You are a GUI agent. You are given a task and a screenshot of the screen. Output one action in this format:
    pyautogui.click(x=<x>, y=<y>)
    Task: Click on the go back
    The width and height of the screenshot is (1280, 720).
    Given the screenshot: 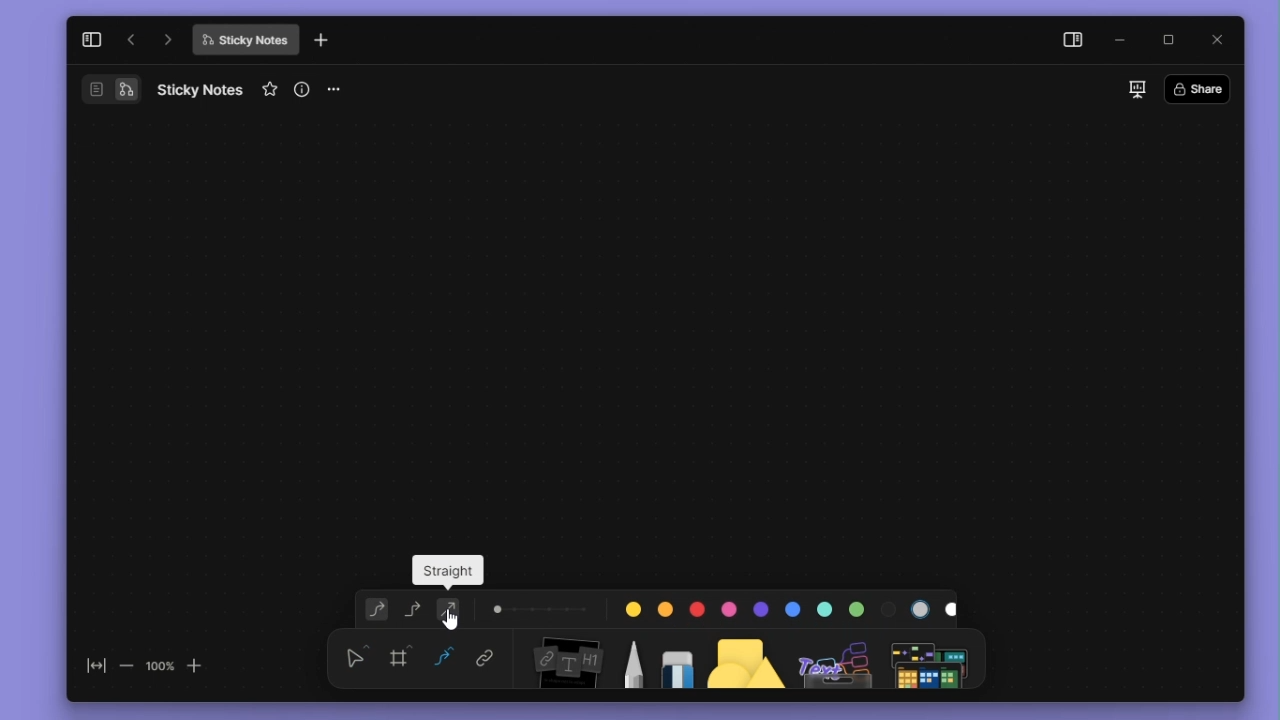 What is the action you would take?
    pyautogui.click(x=131, y=40)
    